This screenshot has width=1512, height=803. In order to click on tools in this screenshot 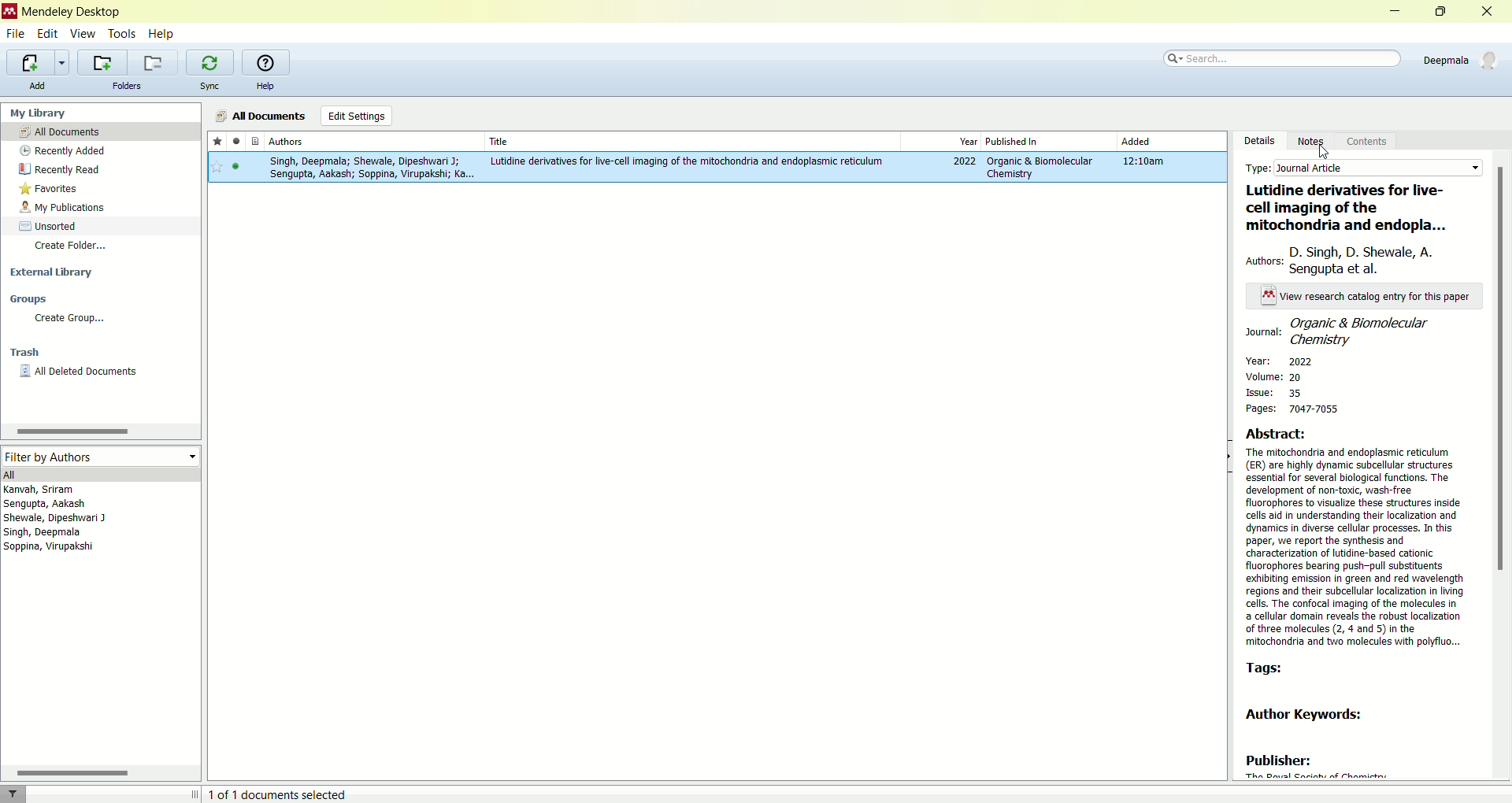, I will do `click(122, 33)`.